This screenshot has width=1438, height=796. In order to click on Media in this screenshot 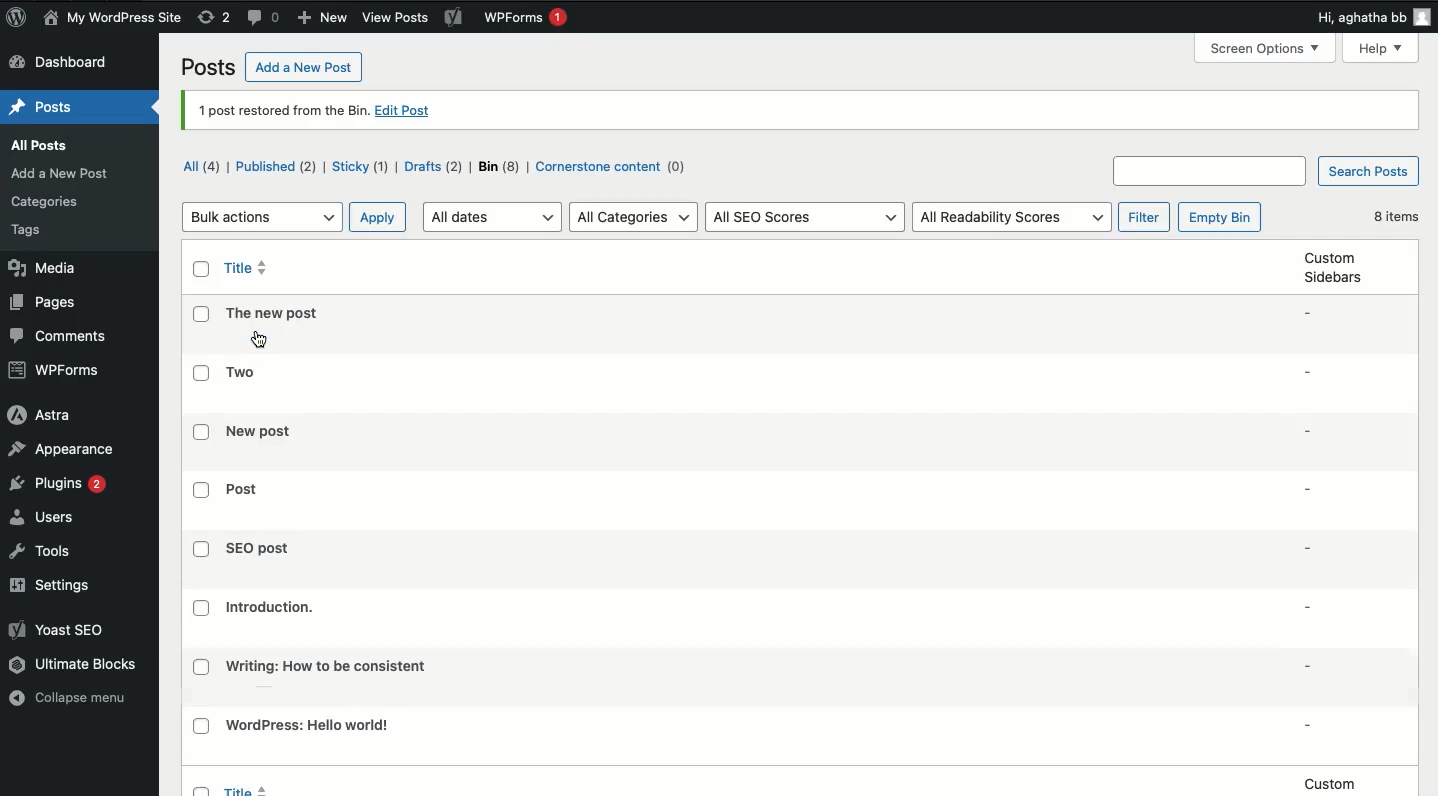, I will do `click(43, 269)`.